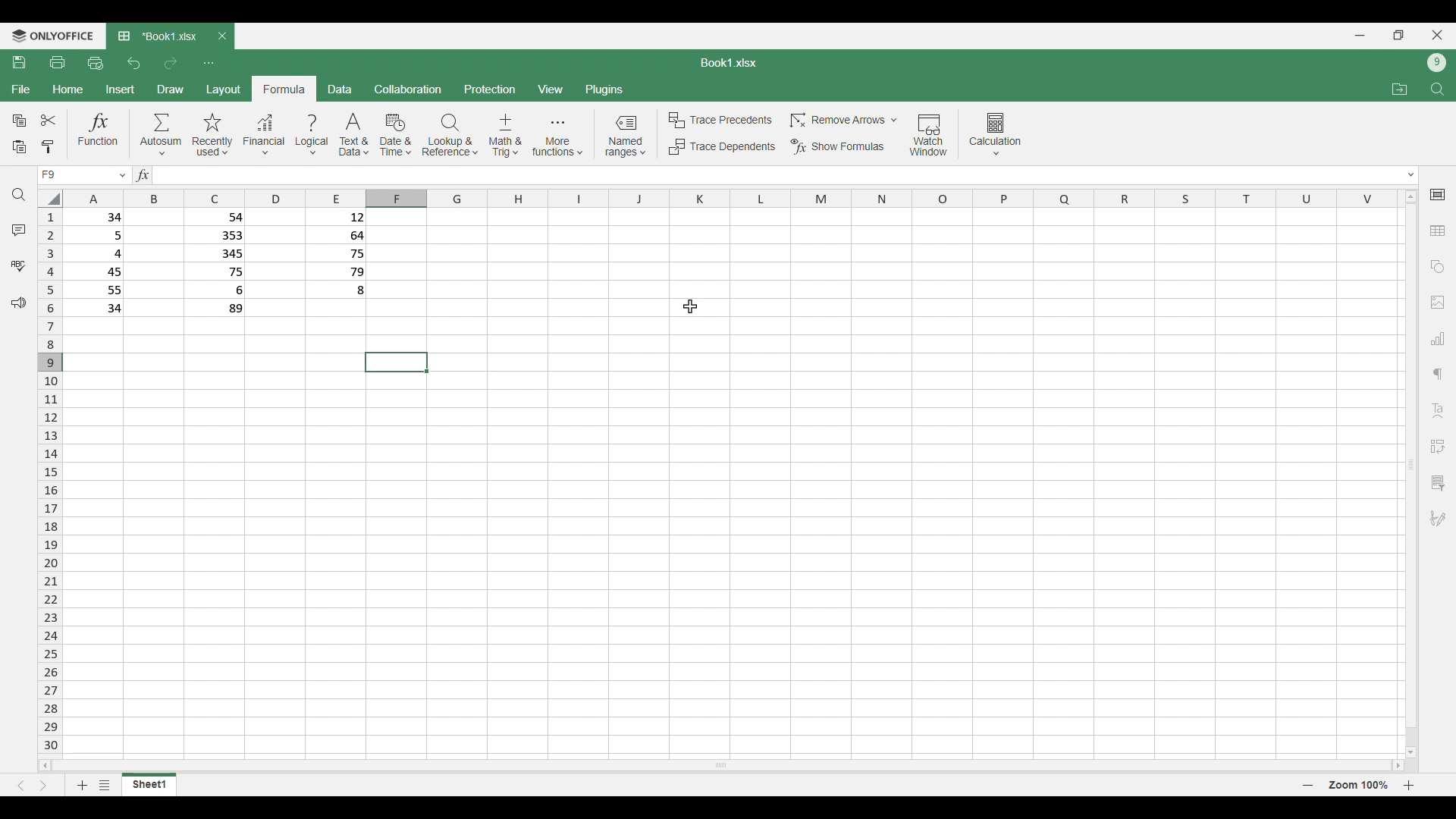  Describe the element at coordinates (49, 198) in the screenshot. I see `Click to select all cells` at that location.